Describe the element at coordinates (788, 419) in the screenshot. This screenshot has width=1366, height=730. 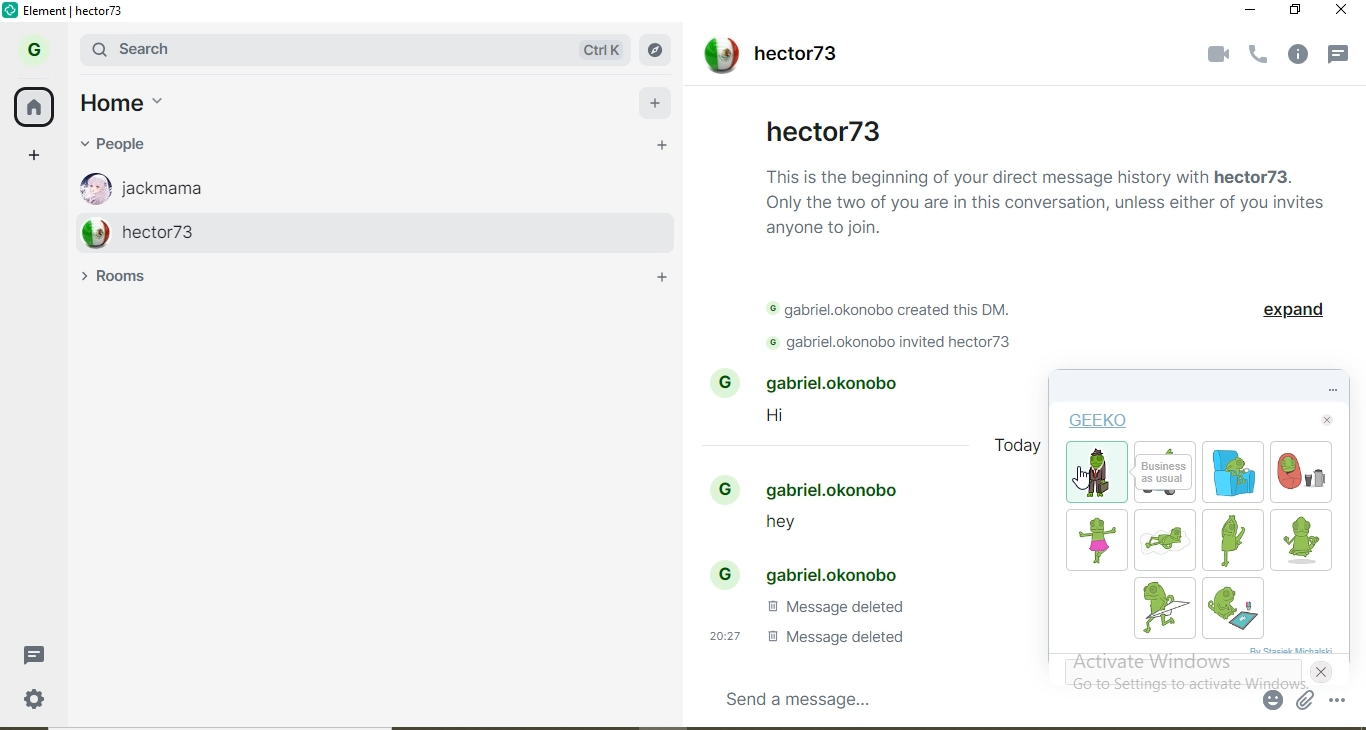
I see `Hi` at that location.